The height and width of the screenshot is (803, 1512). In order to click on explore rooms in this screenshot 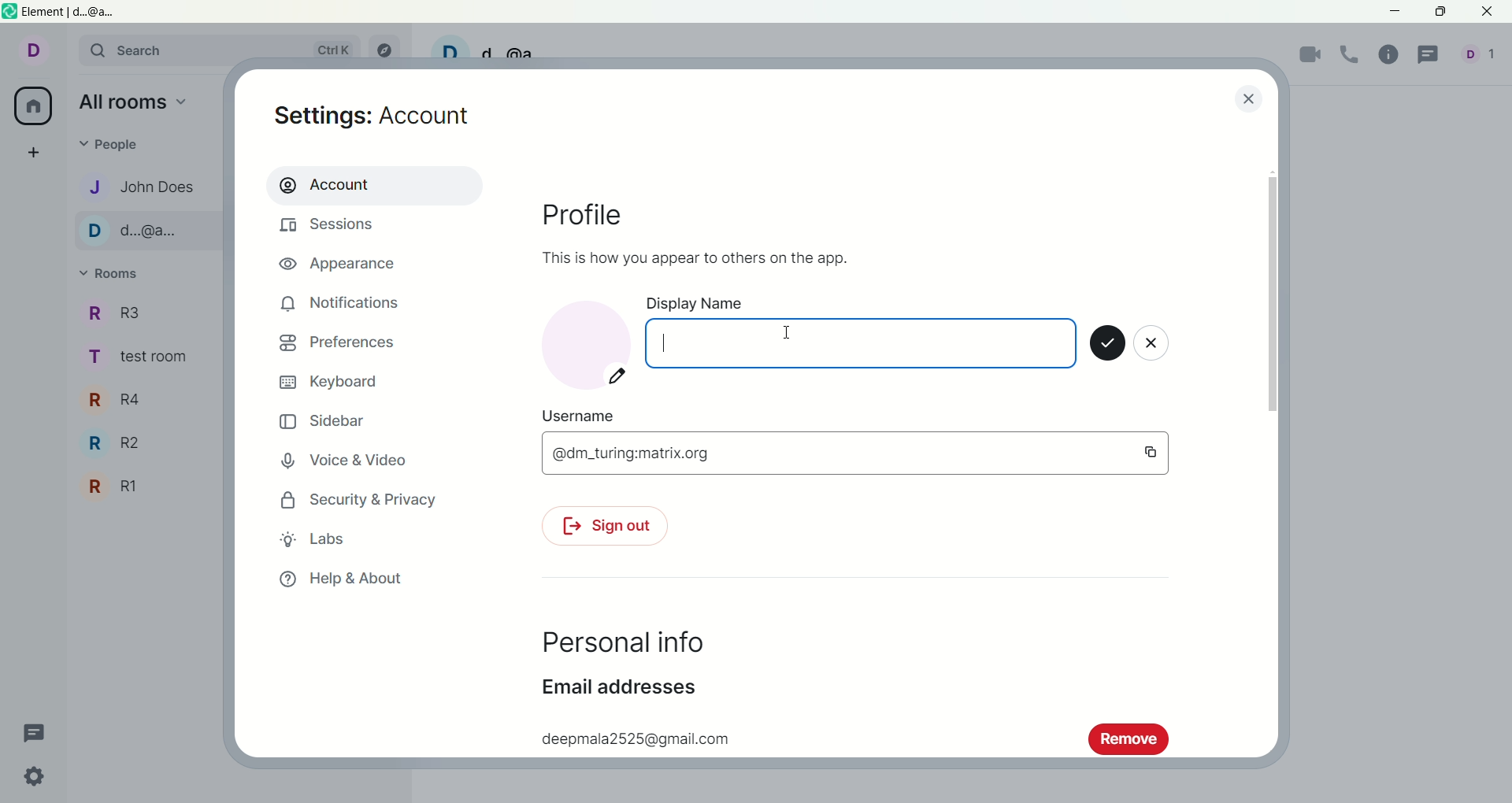, I will do `click(389, 50)`.